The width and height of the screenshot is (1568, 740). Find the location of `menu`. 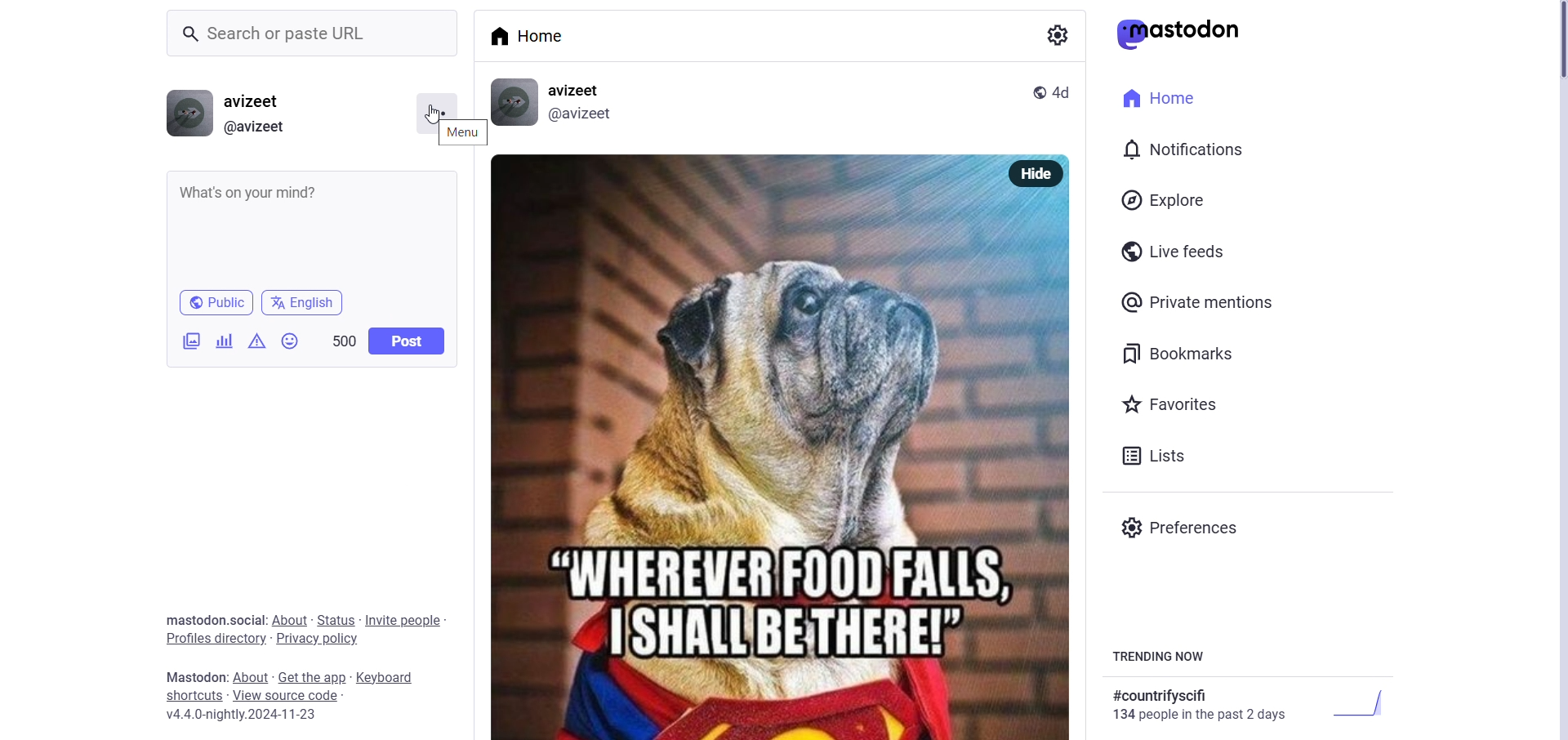

menu is located at coordinates (459, 133).